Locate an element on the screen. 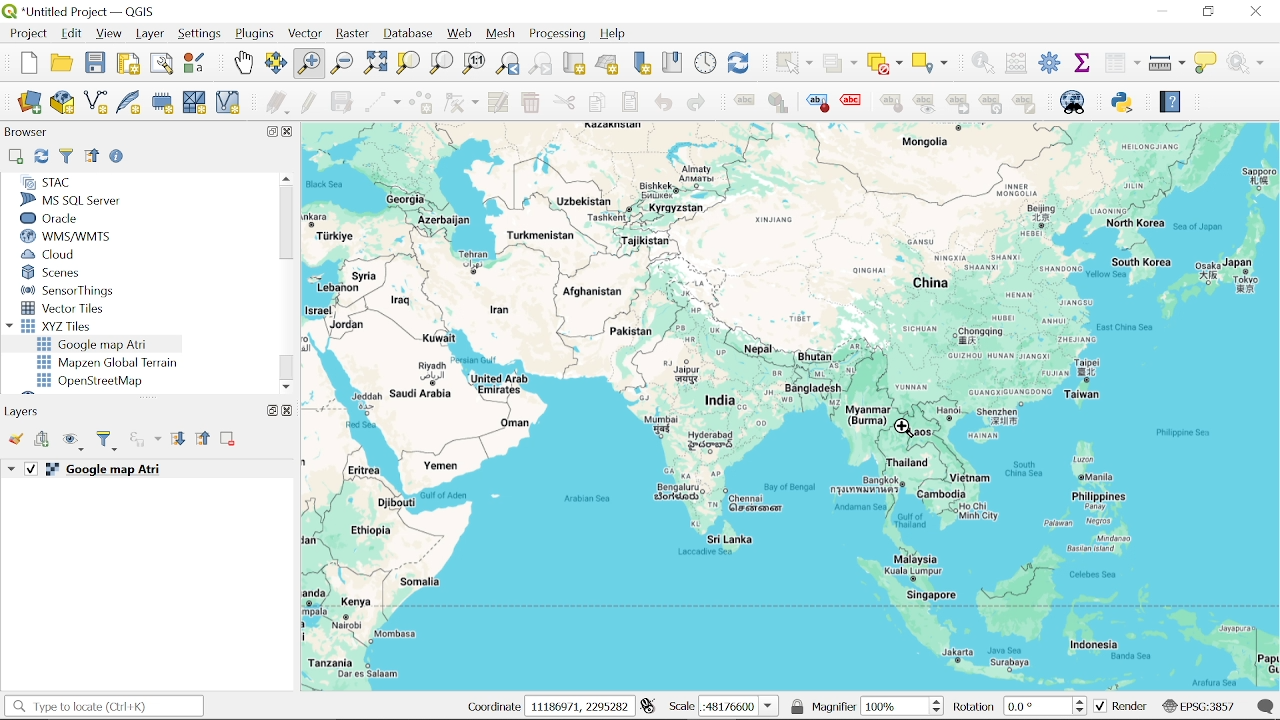  New temporary layer is located at coordinates (164, 103).